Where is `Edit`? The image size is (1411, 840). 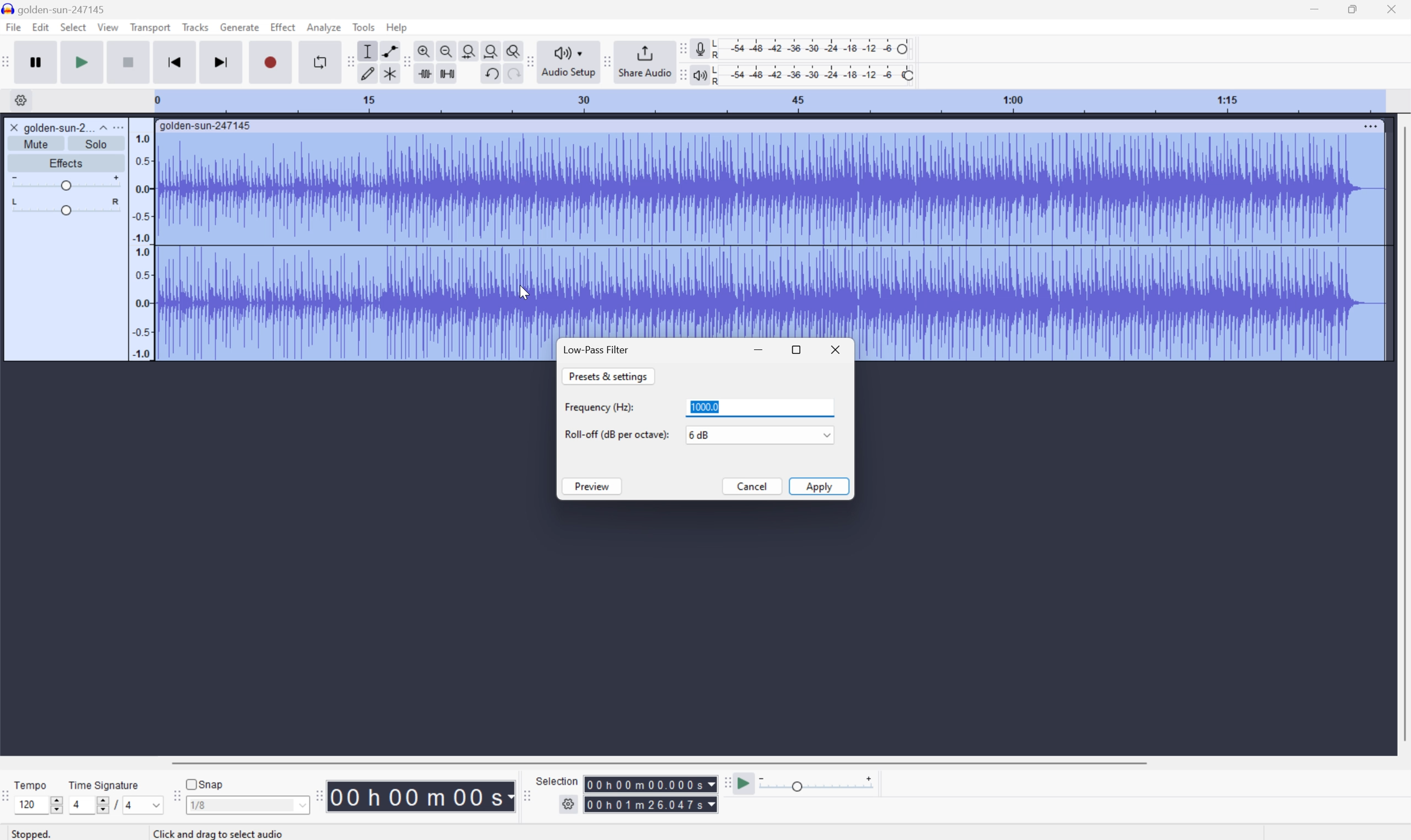
Edit is located at coordinates (41, 27).